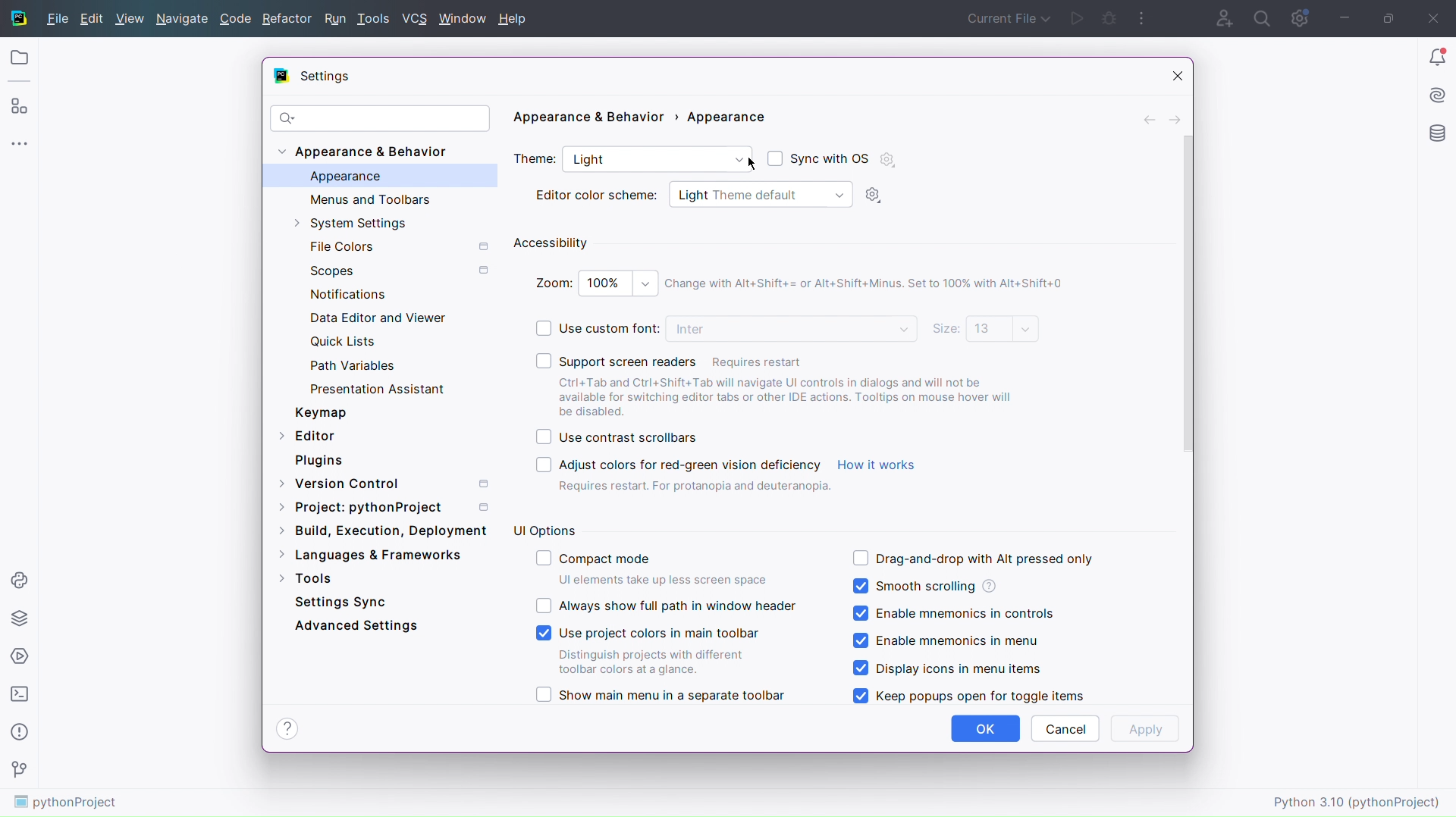 This screenshot has height=817, width=1456. I want to click on Appearance & Behavior, so click(369, 152).